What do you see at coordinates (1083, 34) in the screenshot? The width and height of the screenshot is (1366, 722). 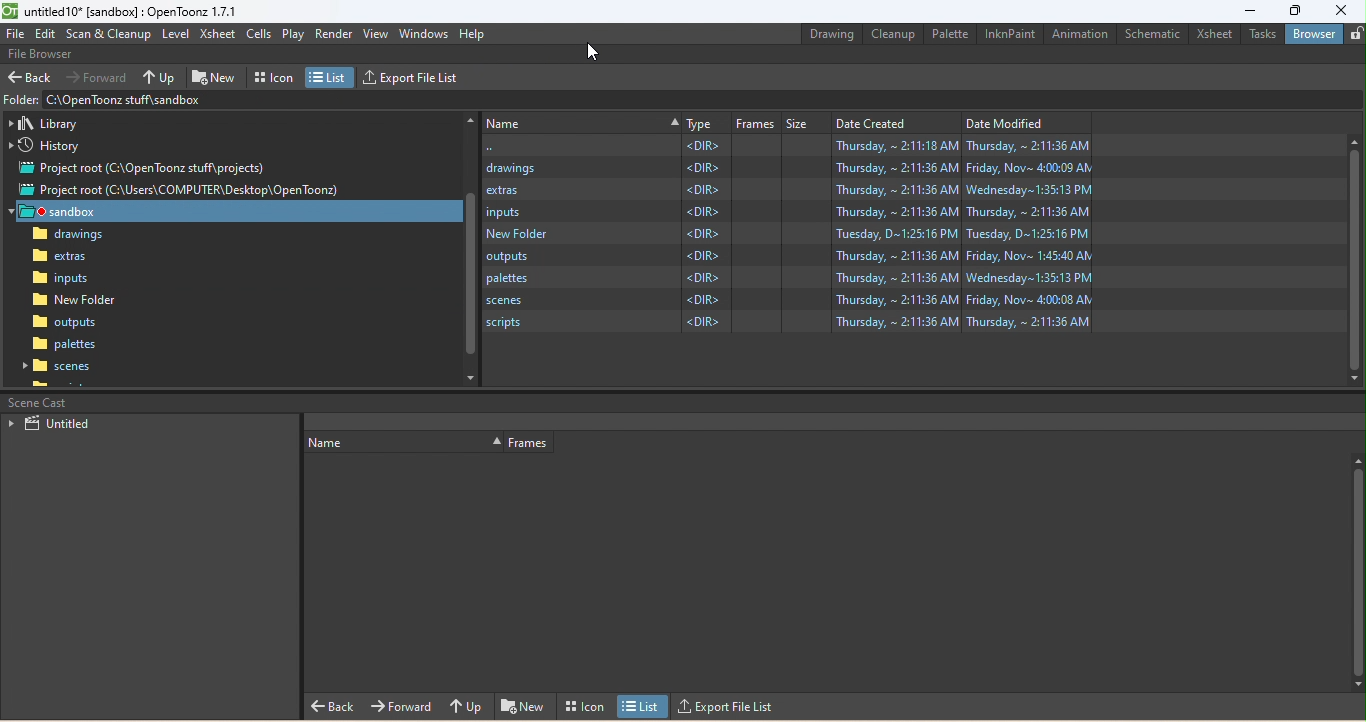 I see `Animation` at bounding box center [1083, 34].